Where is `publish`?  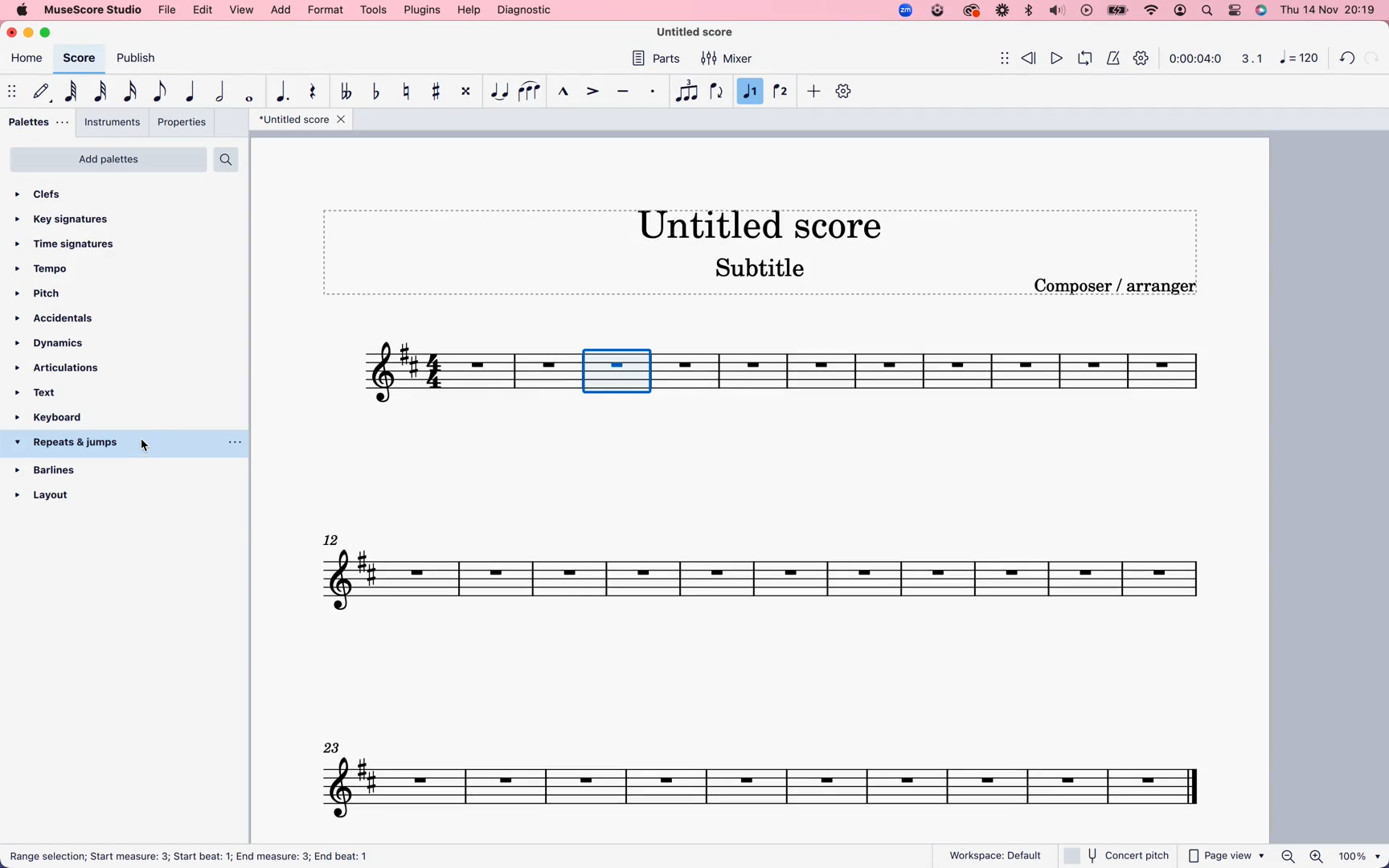 publish is located at coordinates (141, 59).